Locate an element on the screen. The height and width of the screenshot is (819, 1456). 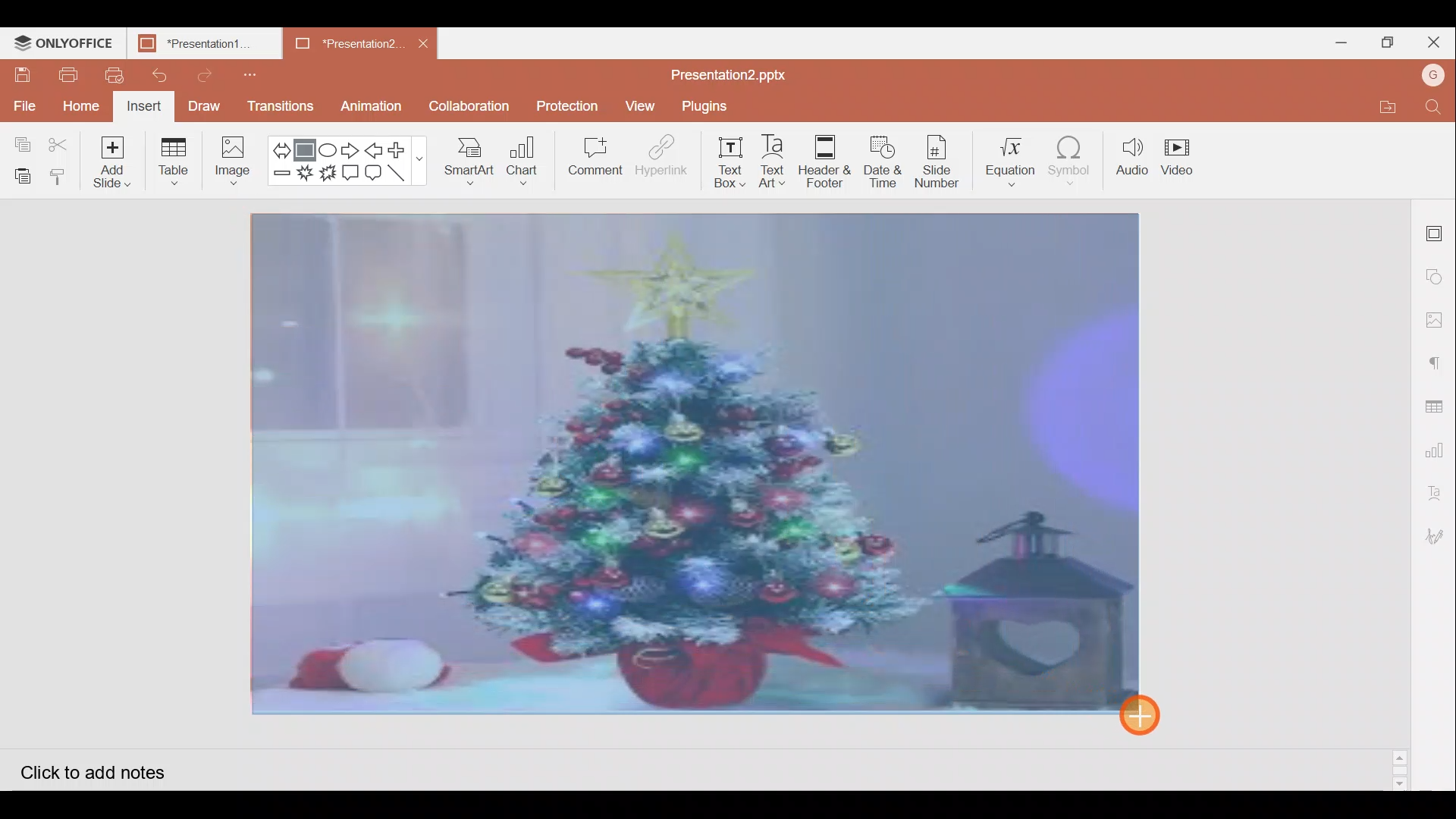
Comment is located at coordinates (592, 157).